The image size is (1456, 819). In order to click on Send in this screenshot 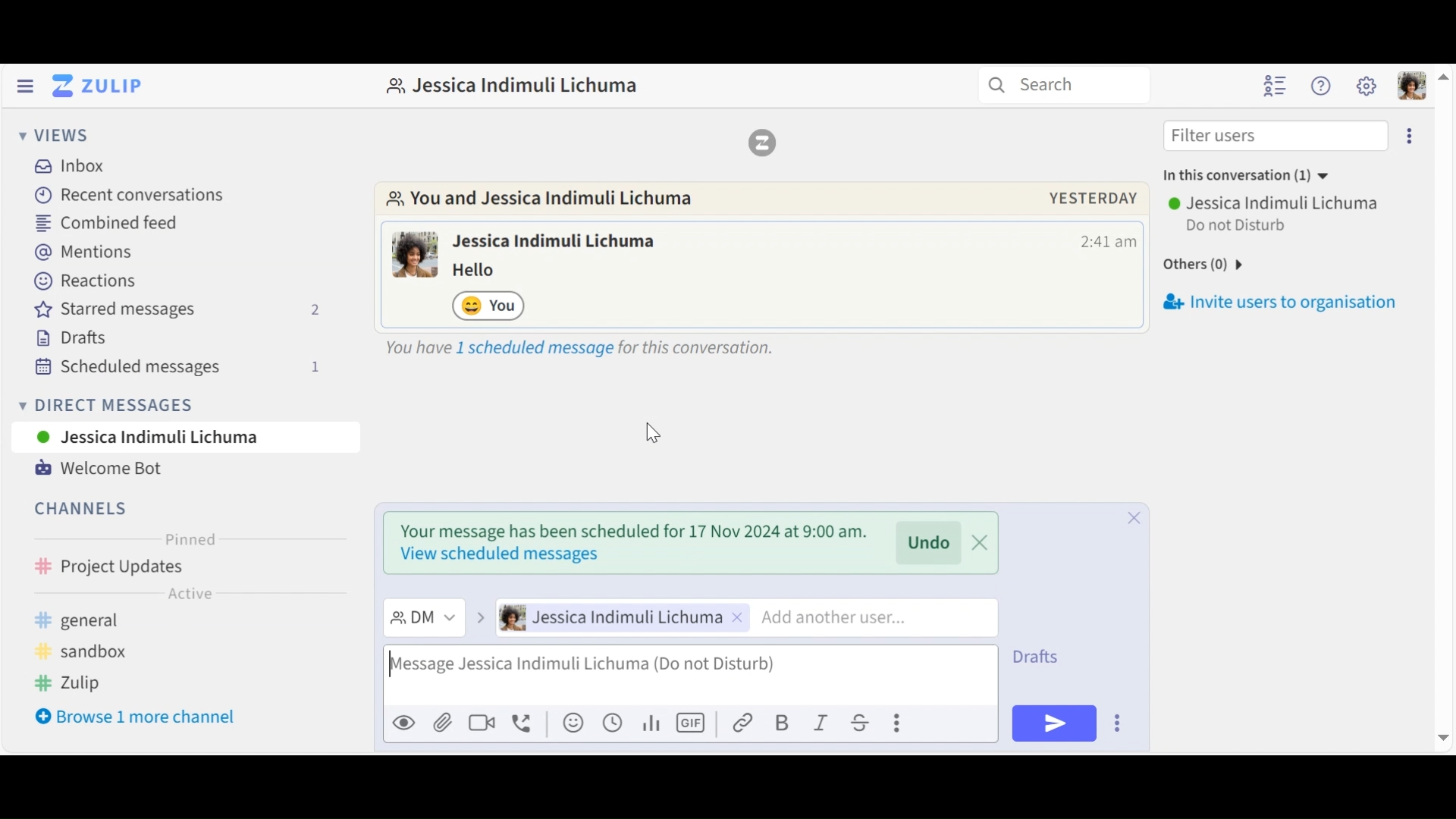, I will do `click(1053, 723)`.